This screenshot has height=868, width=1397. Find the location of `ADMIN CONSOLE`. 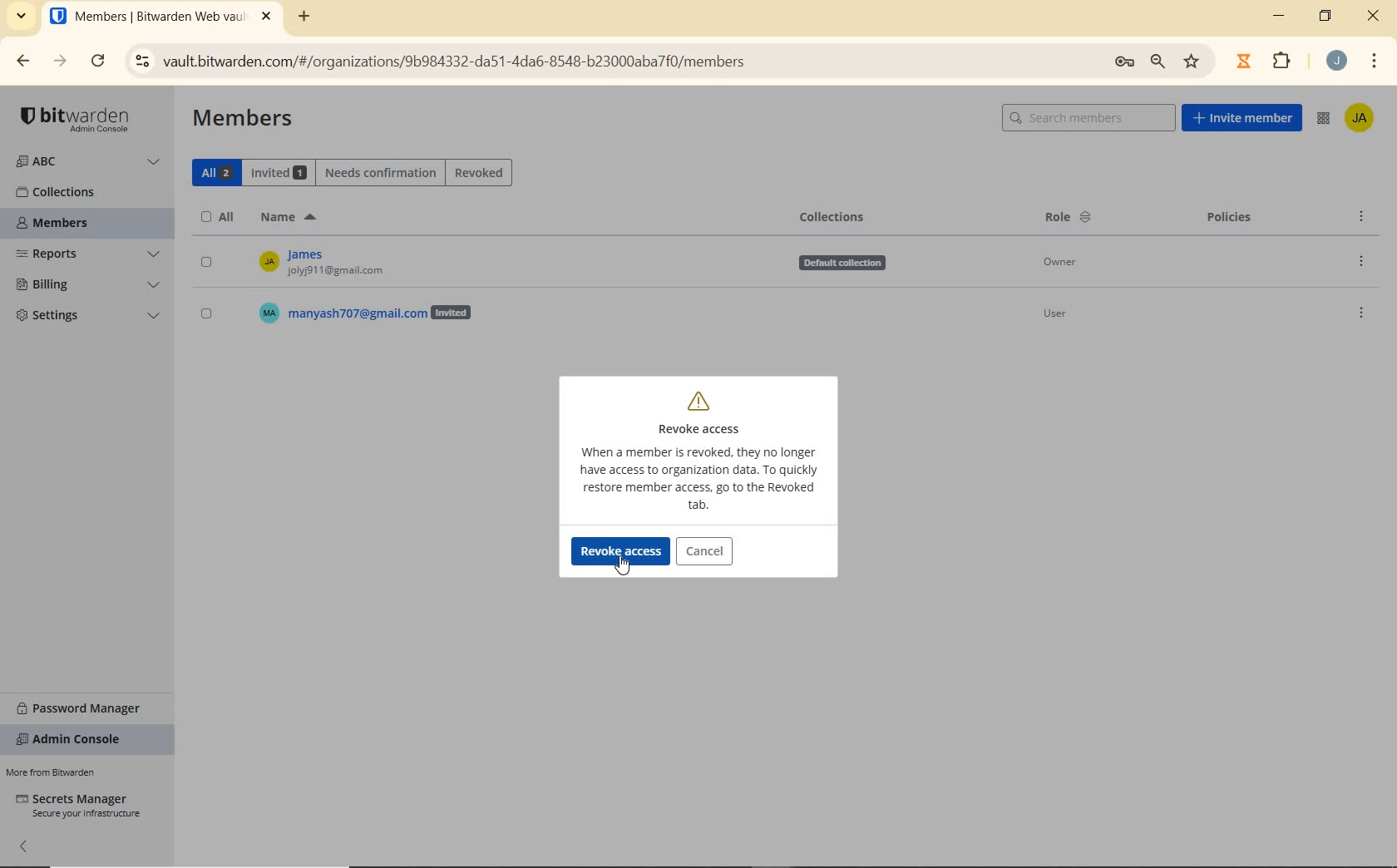

ADMIN CONSOLE is located at coordinates (1323, 121).